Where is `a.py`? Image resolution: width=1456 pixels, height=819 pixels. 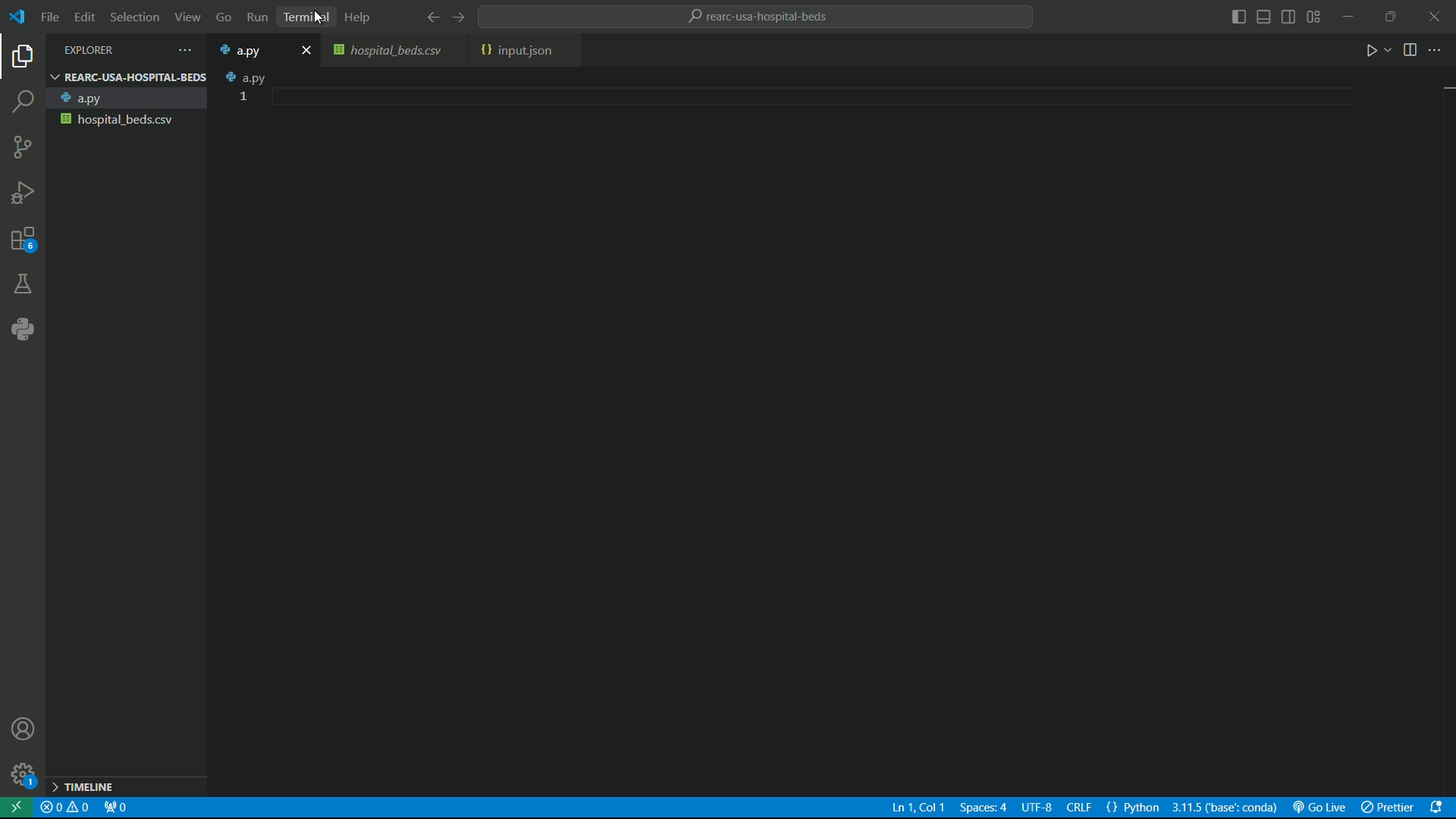
a.py is located at coordinates (247, 77).